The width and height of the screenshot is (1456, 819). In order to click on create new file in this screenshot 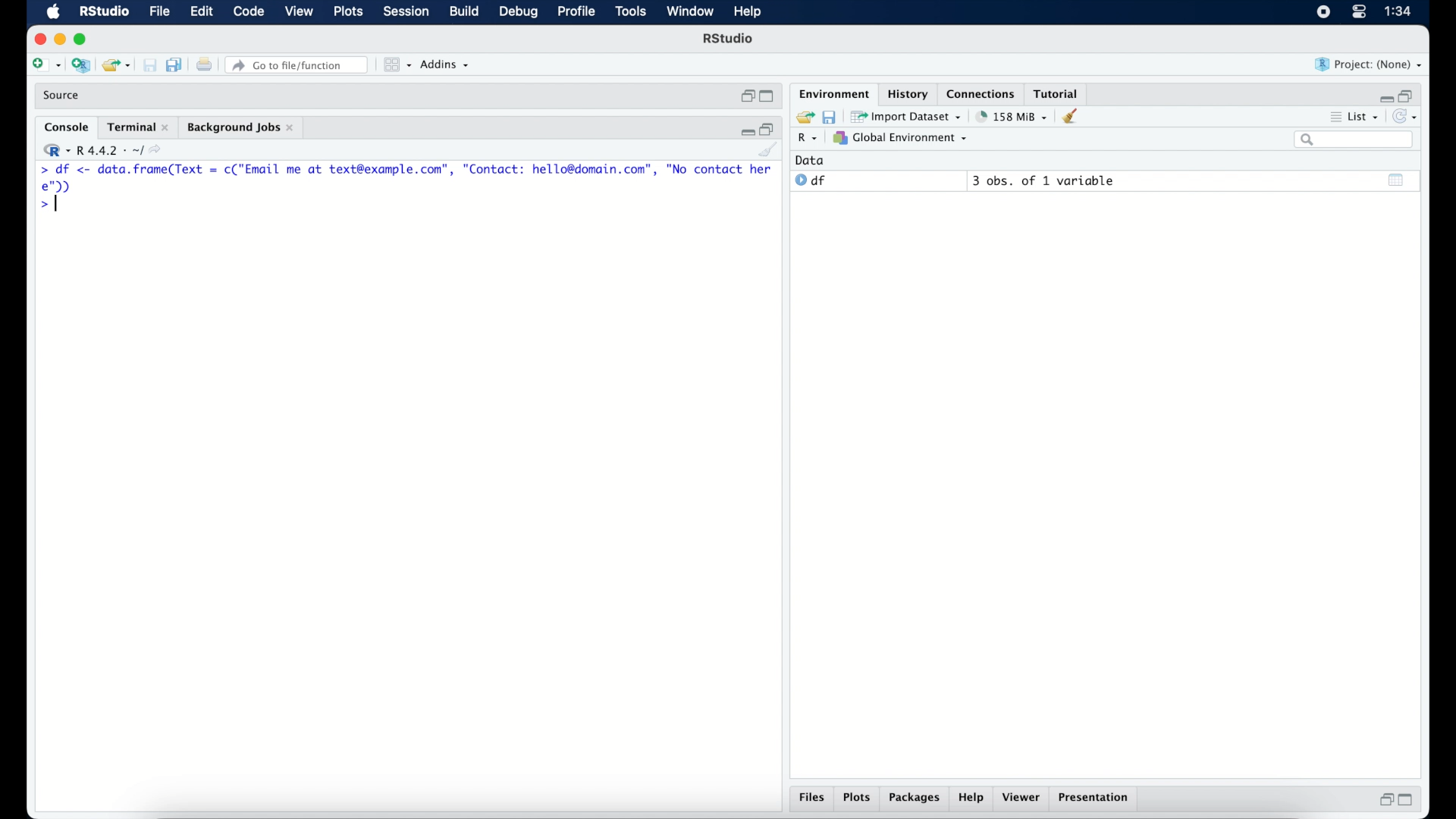, I will do `click(45, 65)`.